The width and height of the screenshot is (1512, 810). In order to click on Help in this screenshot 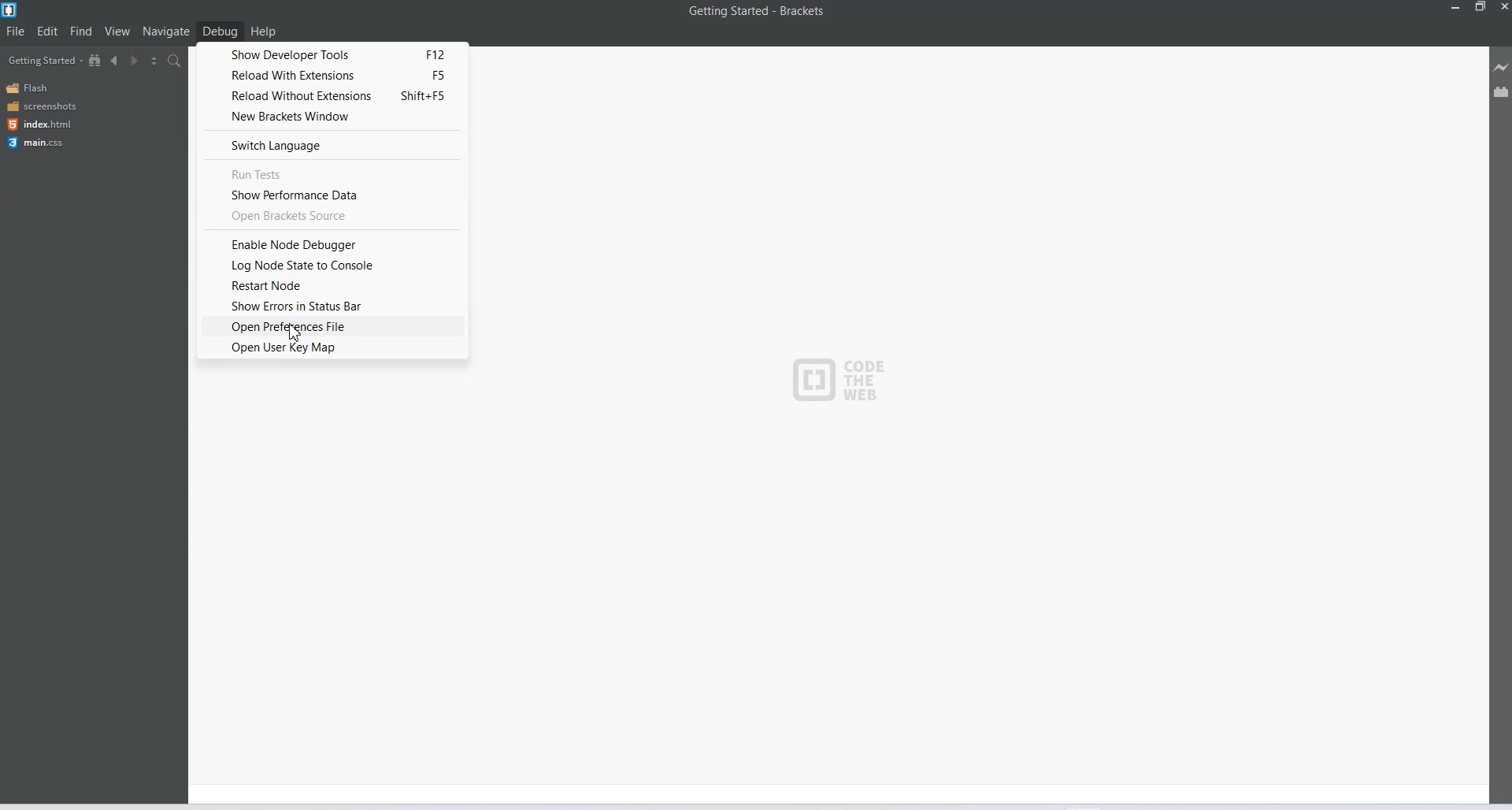, I will do `click(264, 32)`.